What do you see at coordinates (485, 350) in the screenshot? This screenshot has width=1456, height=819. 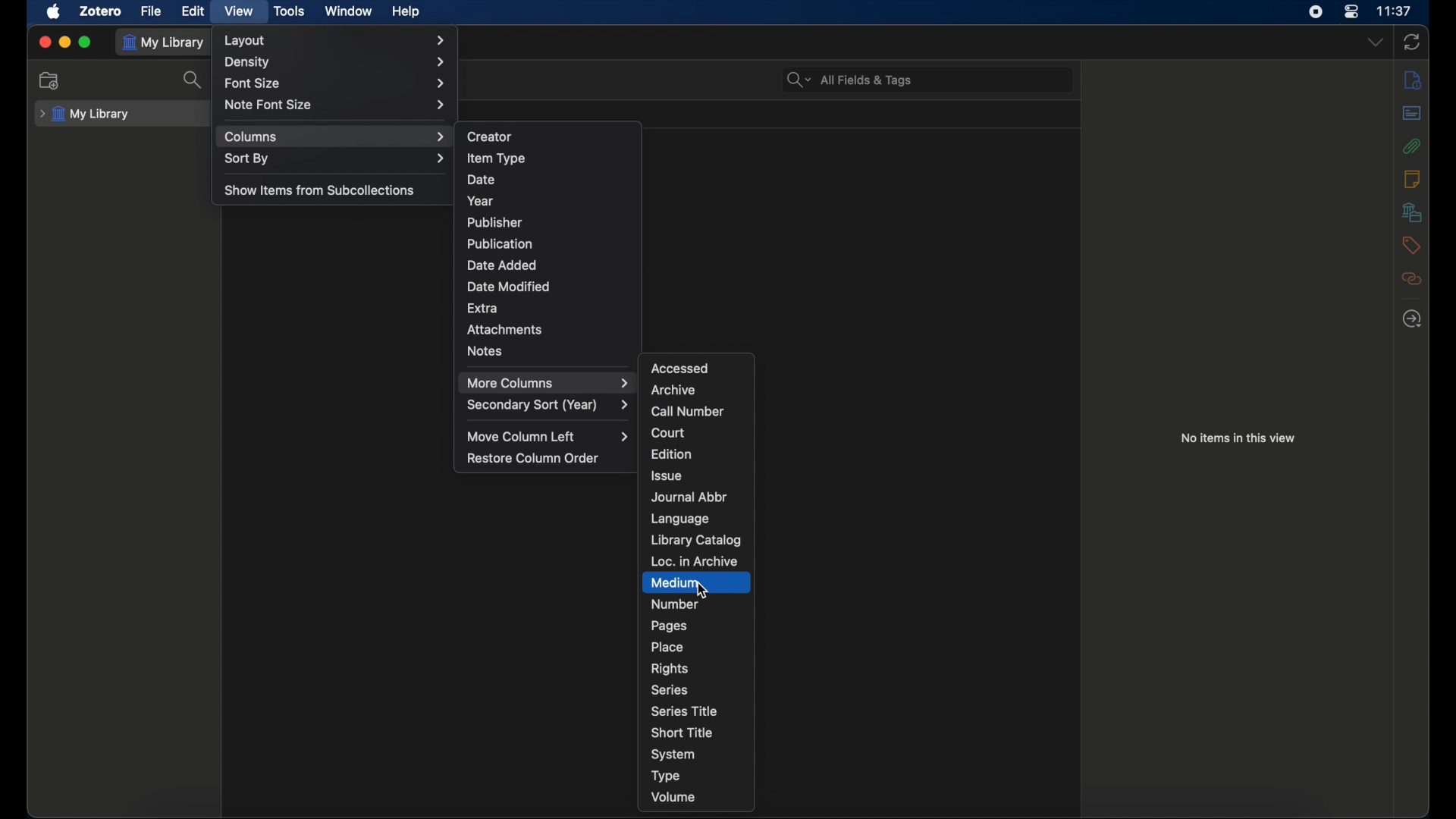 I see `notes` at bounding box center [485, 350].